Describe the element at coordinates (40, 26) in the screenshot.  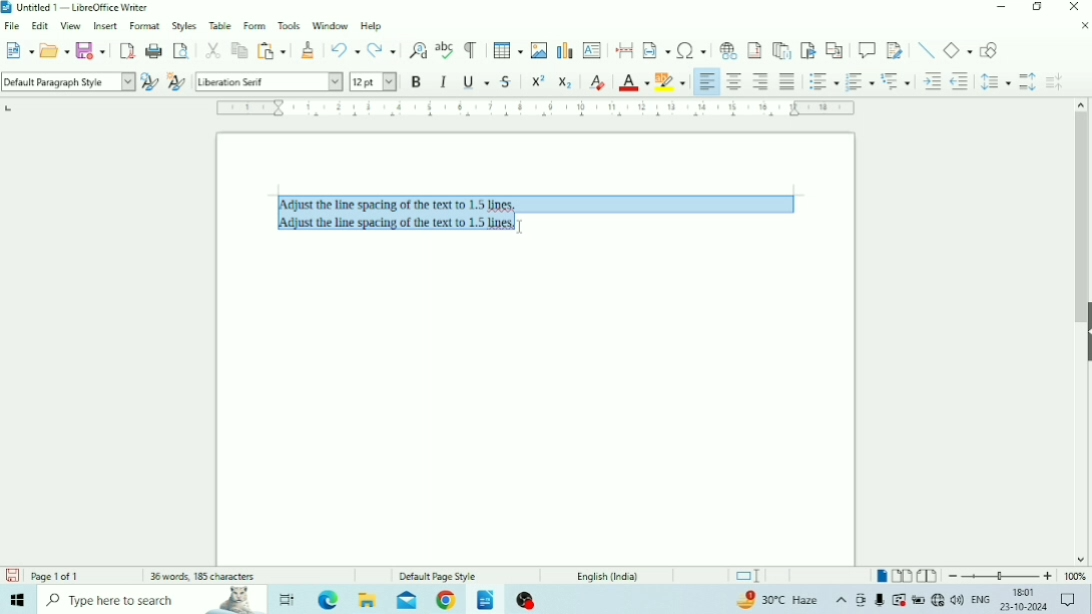
I see `Edit` at that location.